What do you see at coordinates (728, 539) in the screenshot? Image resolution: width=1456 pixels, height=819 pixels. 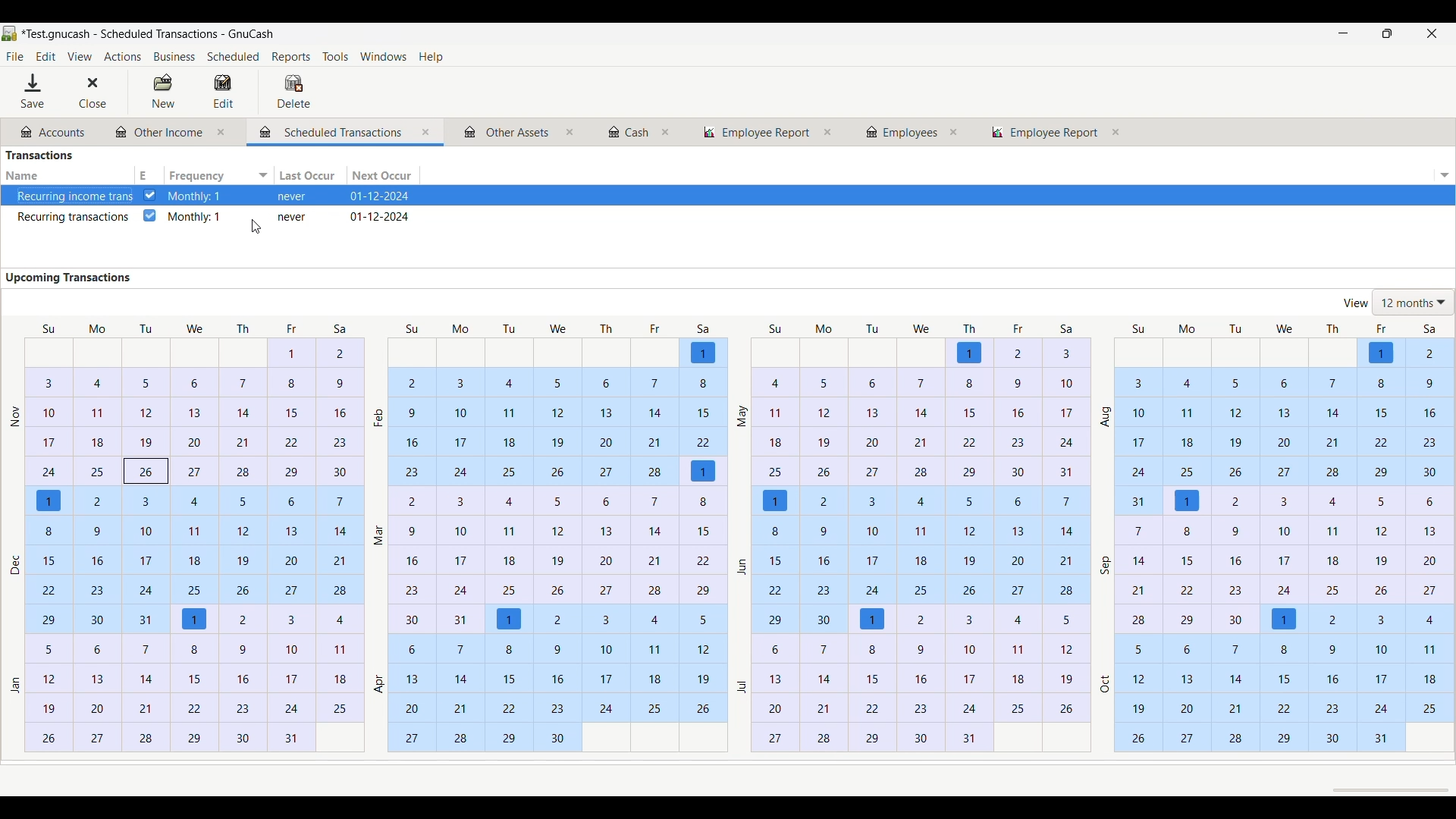 I see `Calendar as per the current View selection, with recurring transaction dates highlighted` at bounding box center [728, 539].